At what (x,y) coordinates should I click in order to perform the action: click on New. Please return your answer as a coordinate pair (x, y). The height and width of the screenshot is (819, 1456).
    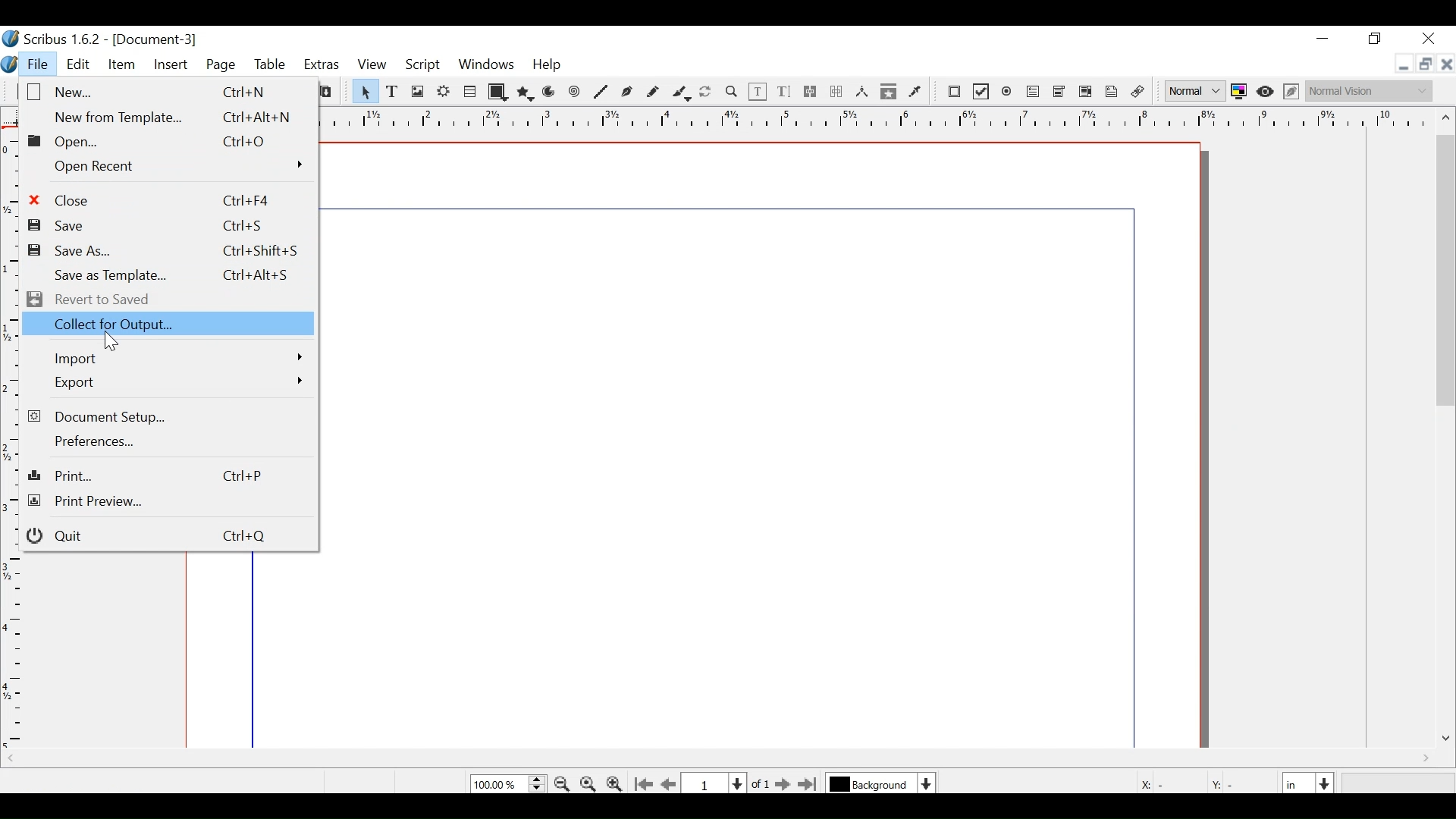
    Looking at the image, I should click on (160, 91).